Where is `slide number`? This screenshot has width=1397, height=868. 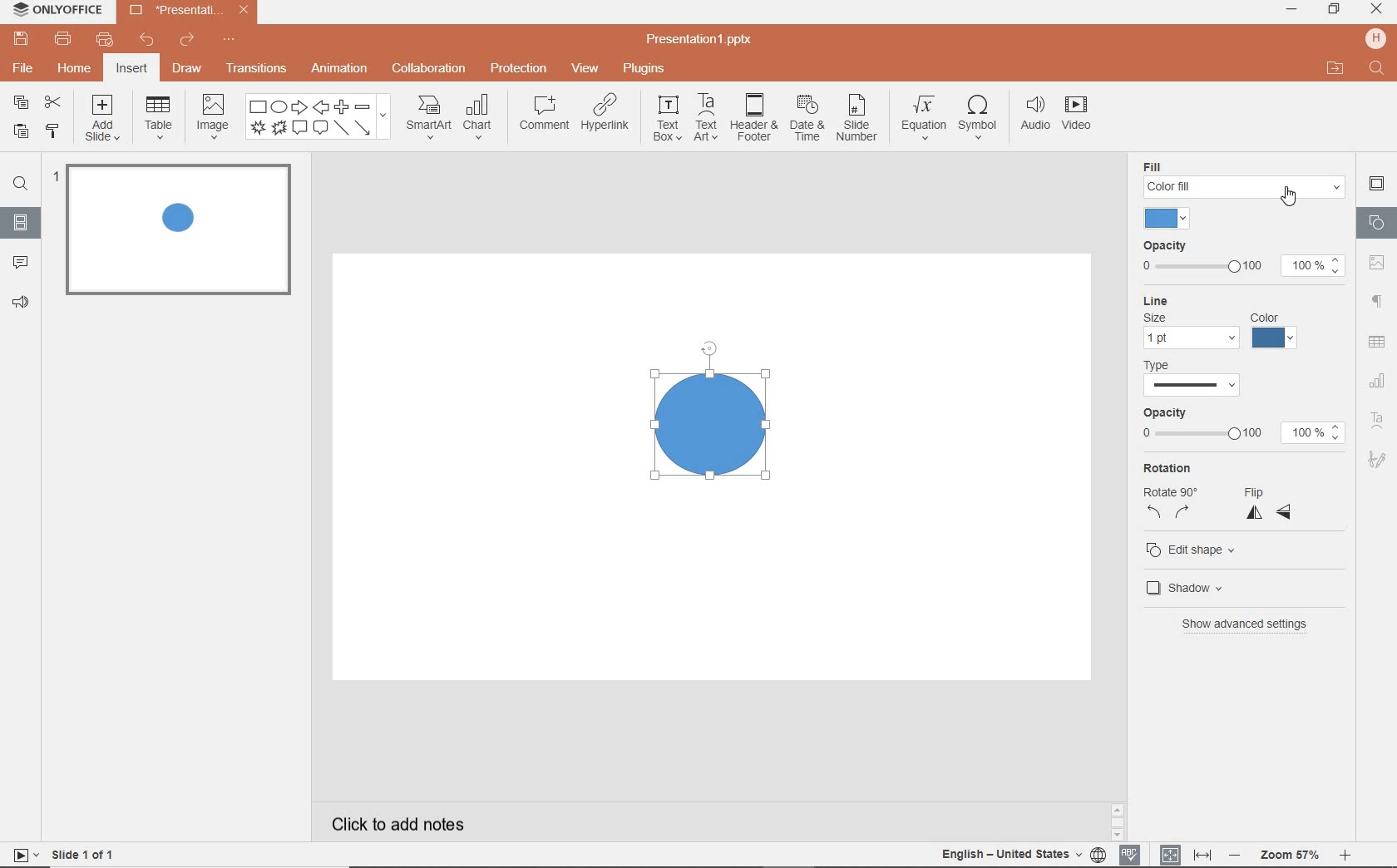
slide number is located at coordinates (857, 119).